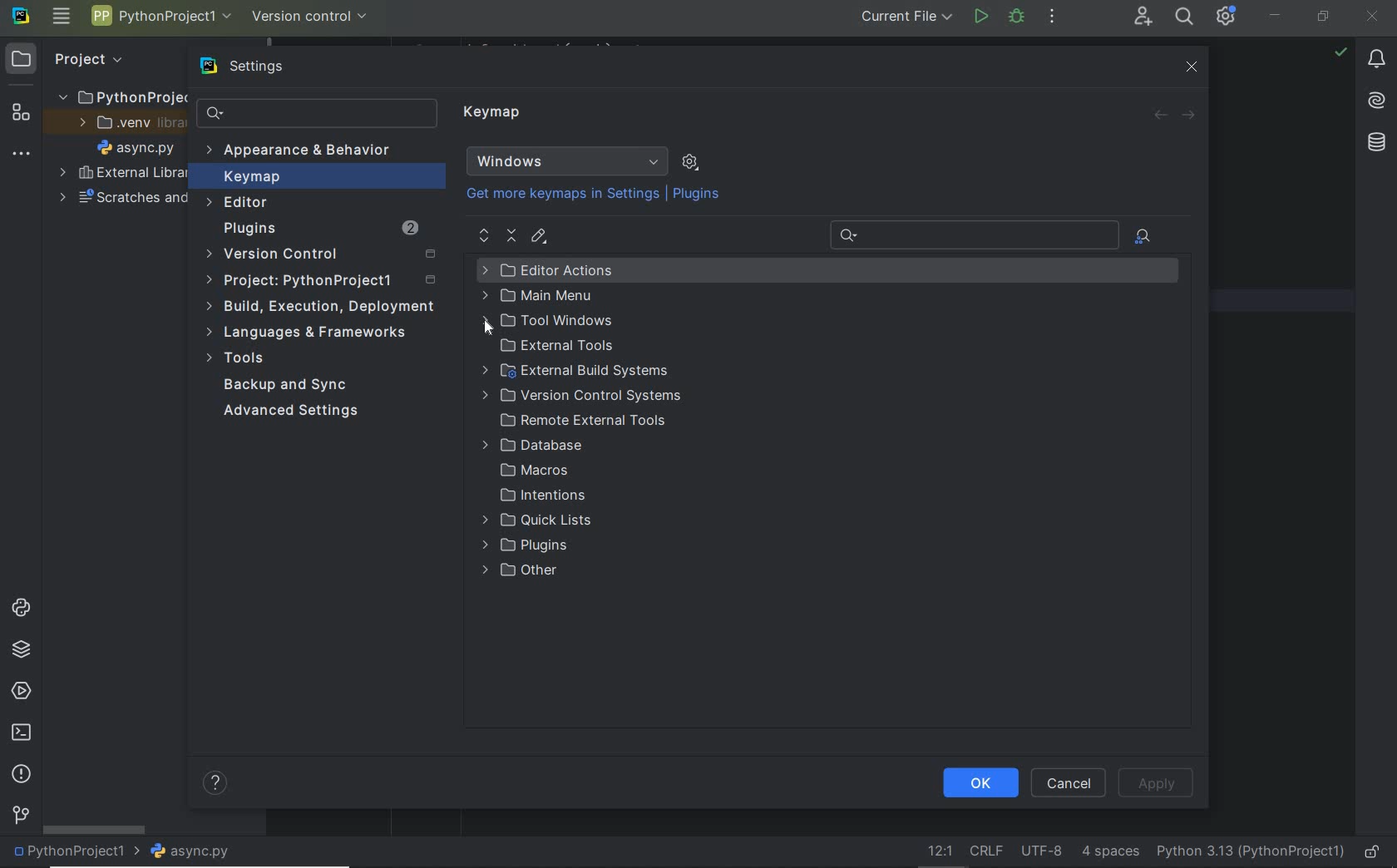  I want to click on external tools, so click(561, 347).